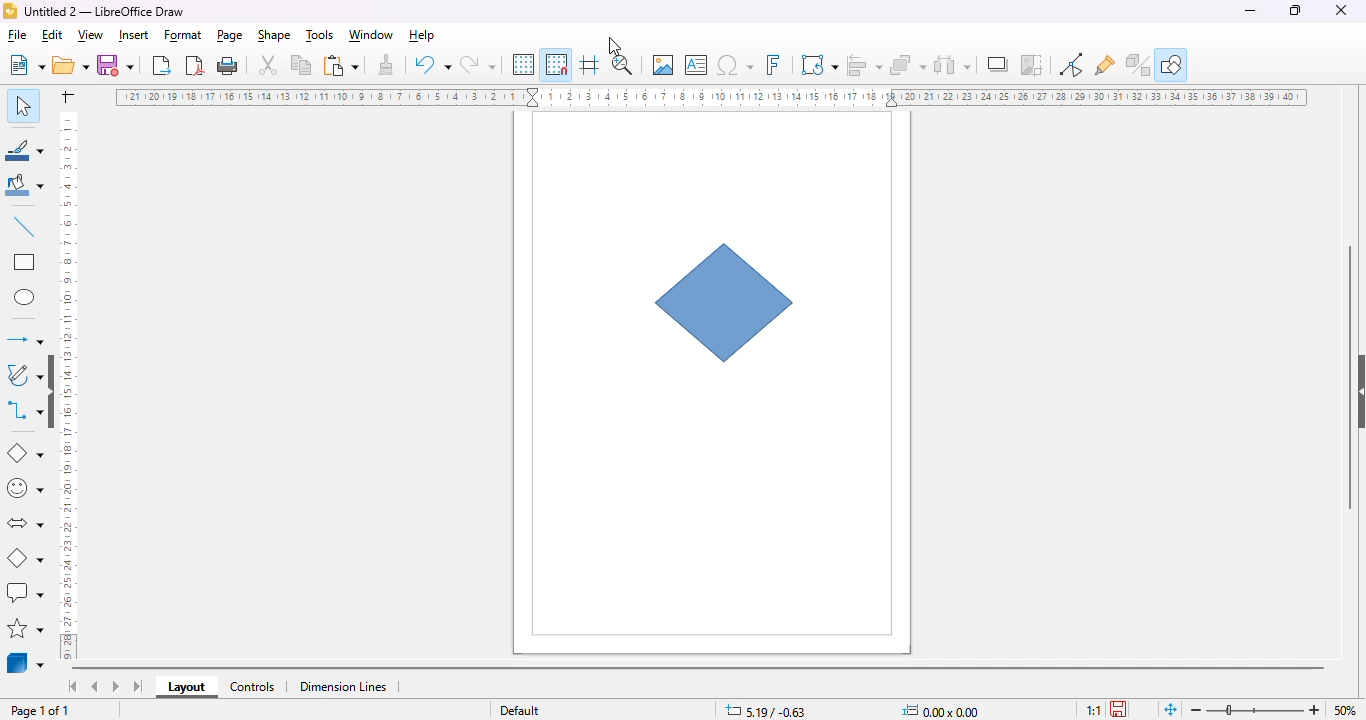 The width and height of the screenshot is (1366, 720). I want to click on select, so click(22, 105).